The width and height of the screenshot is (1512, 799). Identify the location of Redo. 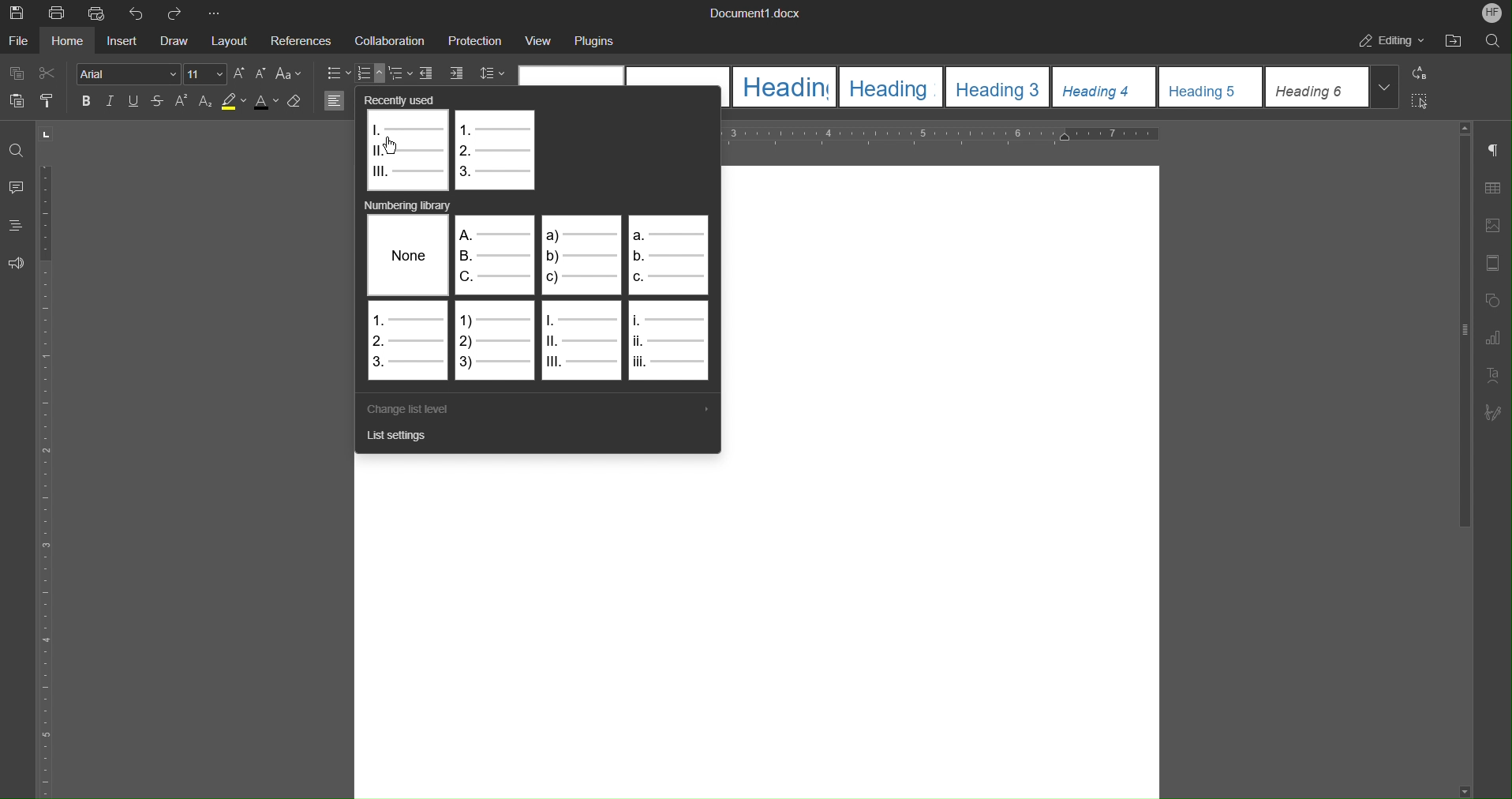
(174, 13).